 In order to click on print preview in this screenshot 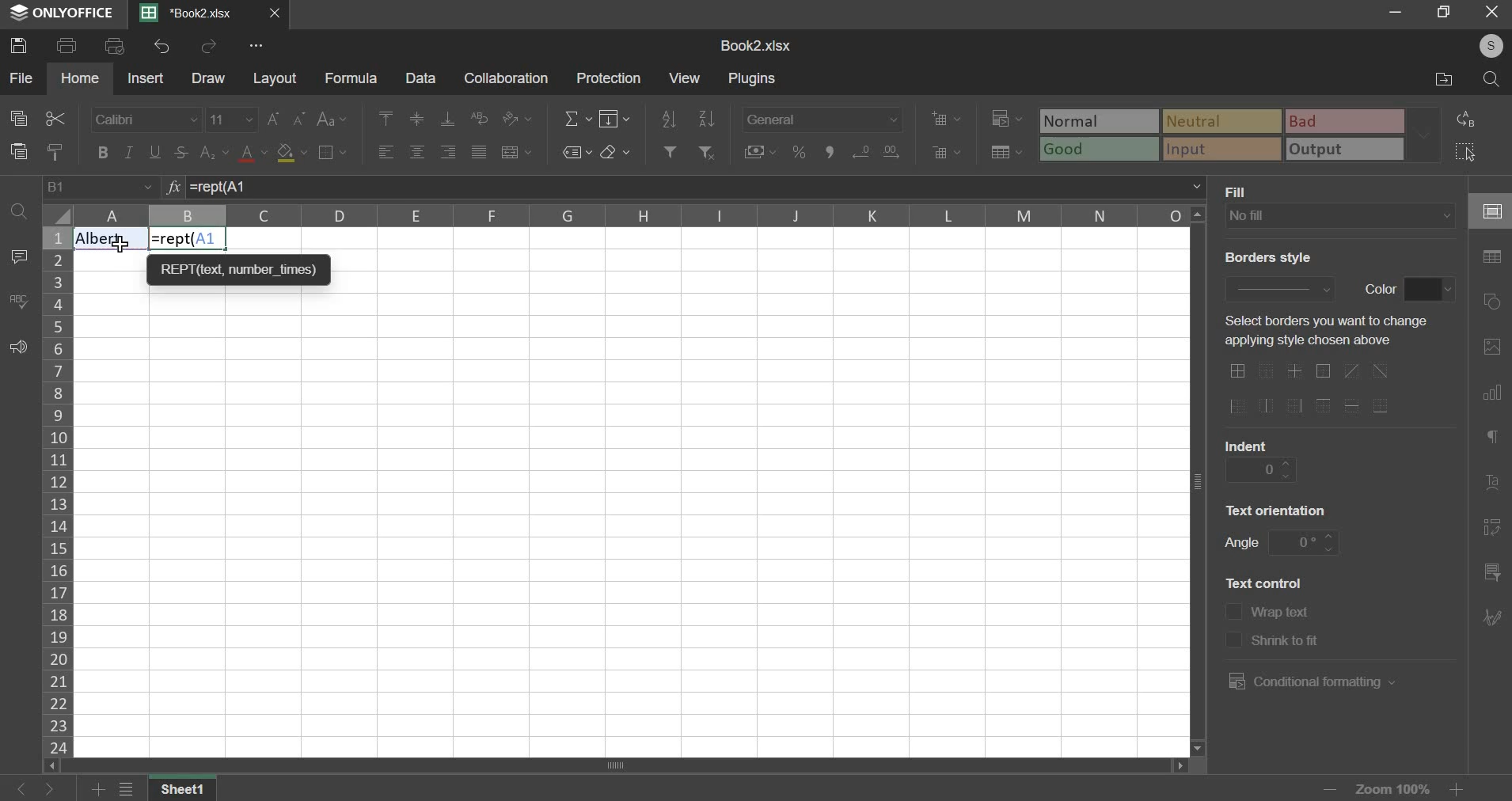, I will do `click(116, 44)`.